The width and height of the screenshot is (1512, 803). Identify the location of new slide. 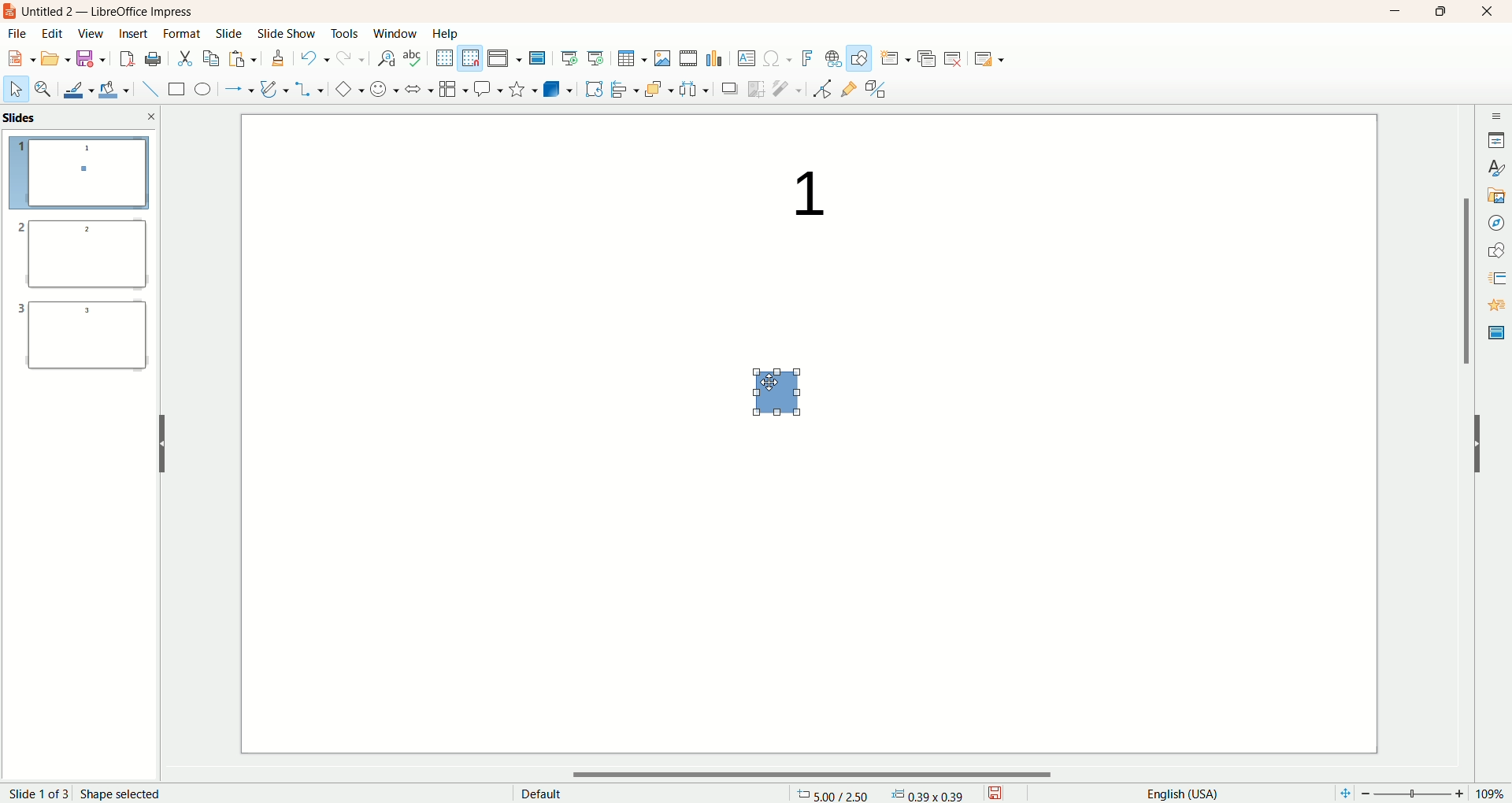
(895, 57).